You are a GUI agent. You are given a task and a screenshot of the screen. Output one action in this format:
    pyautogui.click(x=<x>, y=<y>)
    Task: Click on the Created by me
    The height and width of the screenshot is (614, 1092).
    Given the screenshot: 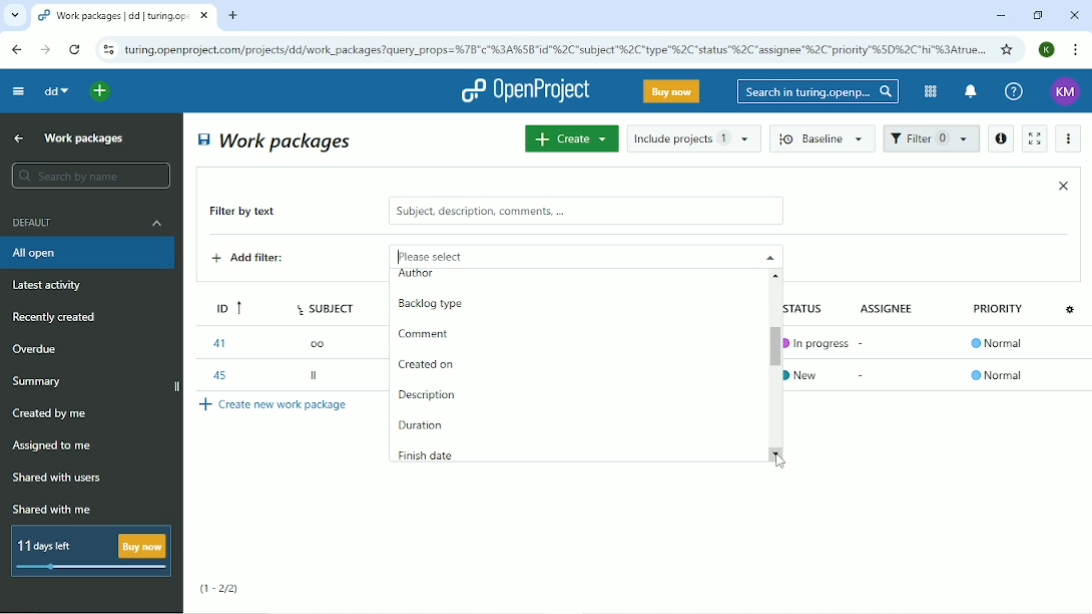 What is the action you would take?
    pyautogui.click(x=53, y=414)
    